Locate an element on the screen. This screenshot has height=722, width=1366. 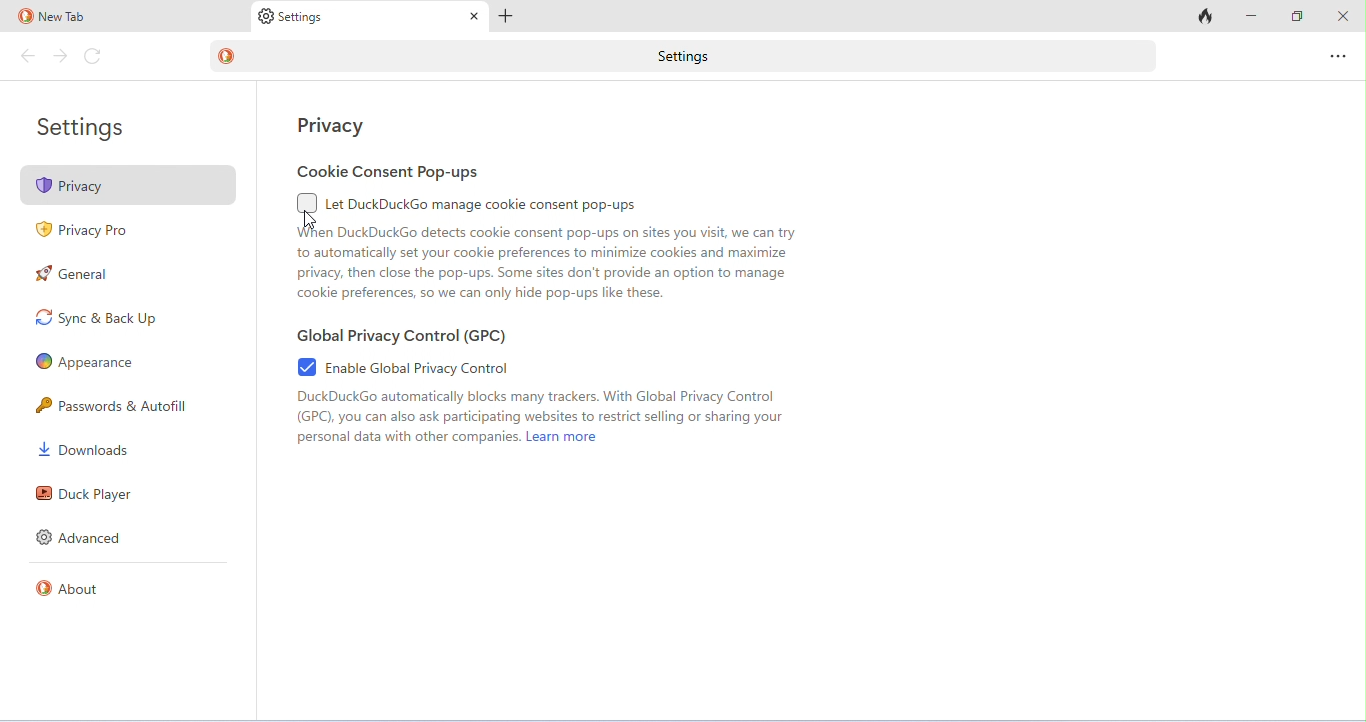
privacy pro is located at coordinates (85, 233).